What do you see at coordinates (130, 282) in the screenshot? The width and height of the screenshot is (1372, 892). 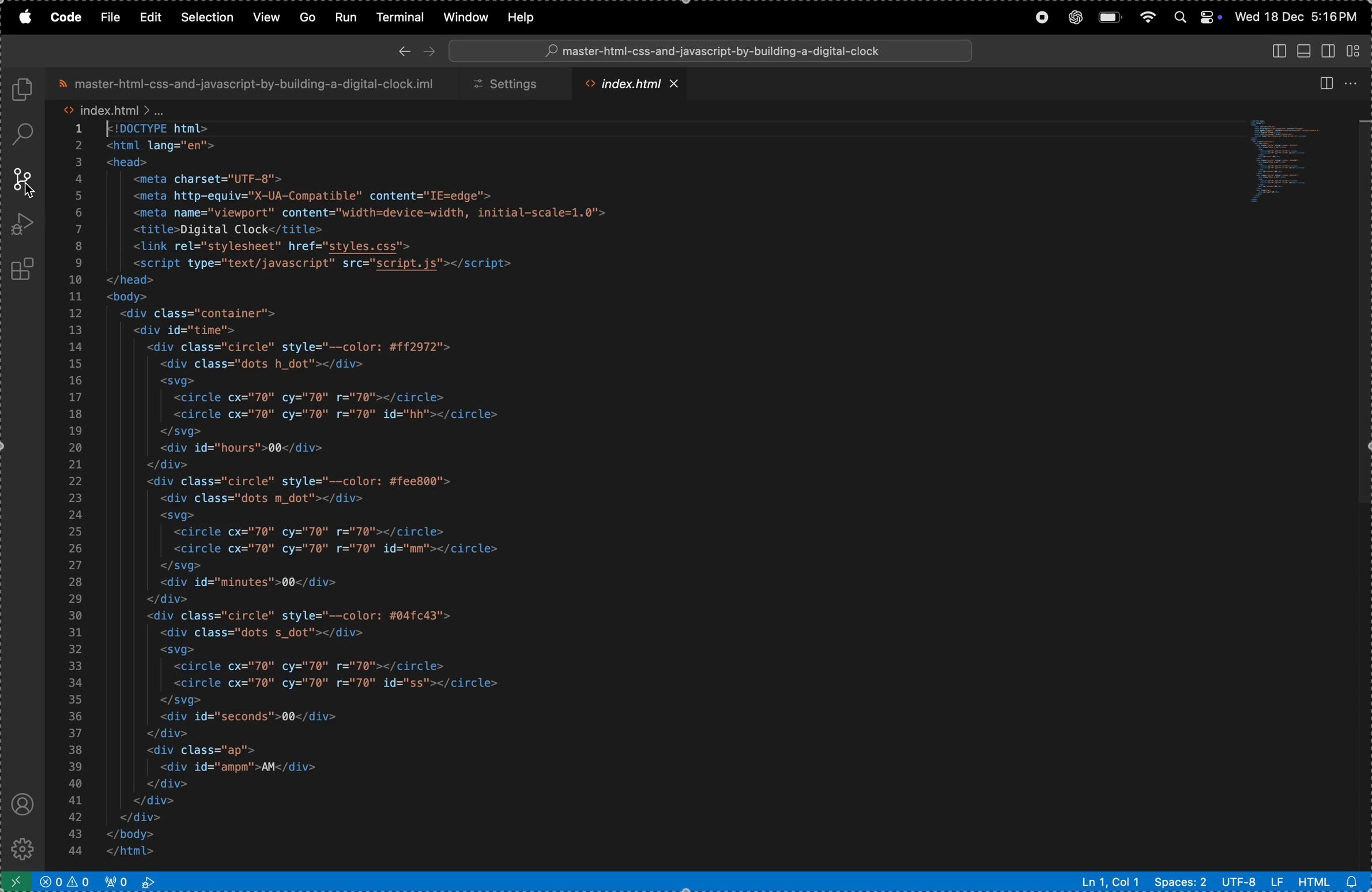 I see `</head>` at bounding box center [130, 282].